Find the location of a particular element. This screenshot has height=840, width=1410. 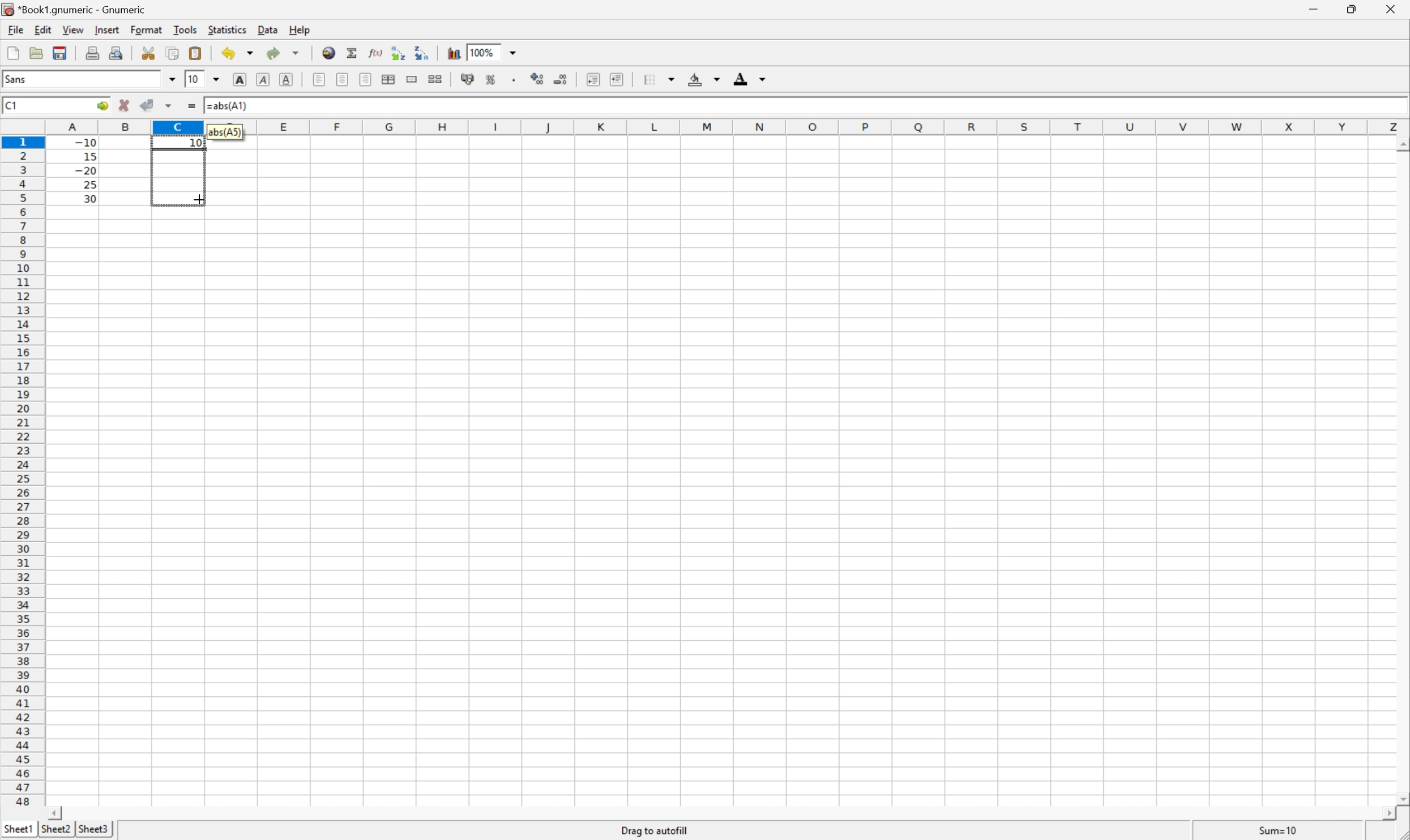

Copy the selection is located at coordinates (172, 53).